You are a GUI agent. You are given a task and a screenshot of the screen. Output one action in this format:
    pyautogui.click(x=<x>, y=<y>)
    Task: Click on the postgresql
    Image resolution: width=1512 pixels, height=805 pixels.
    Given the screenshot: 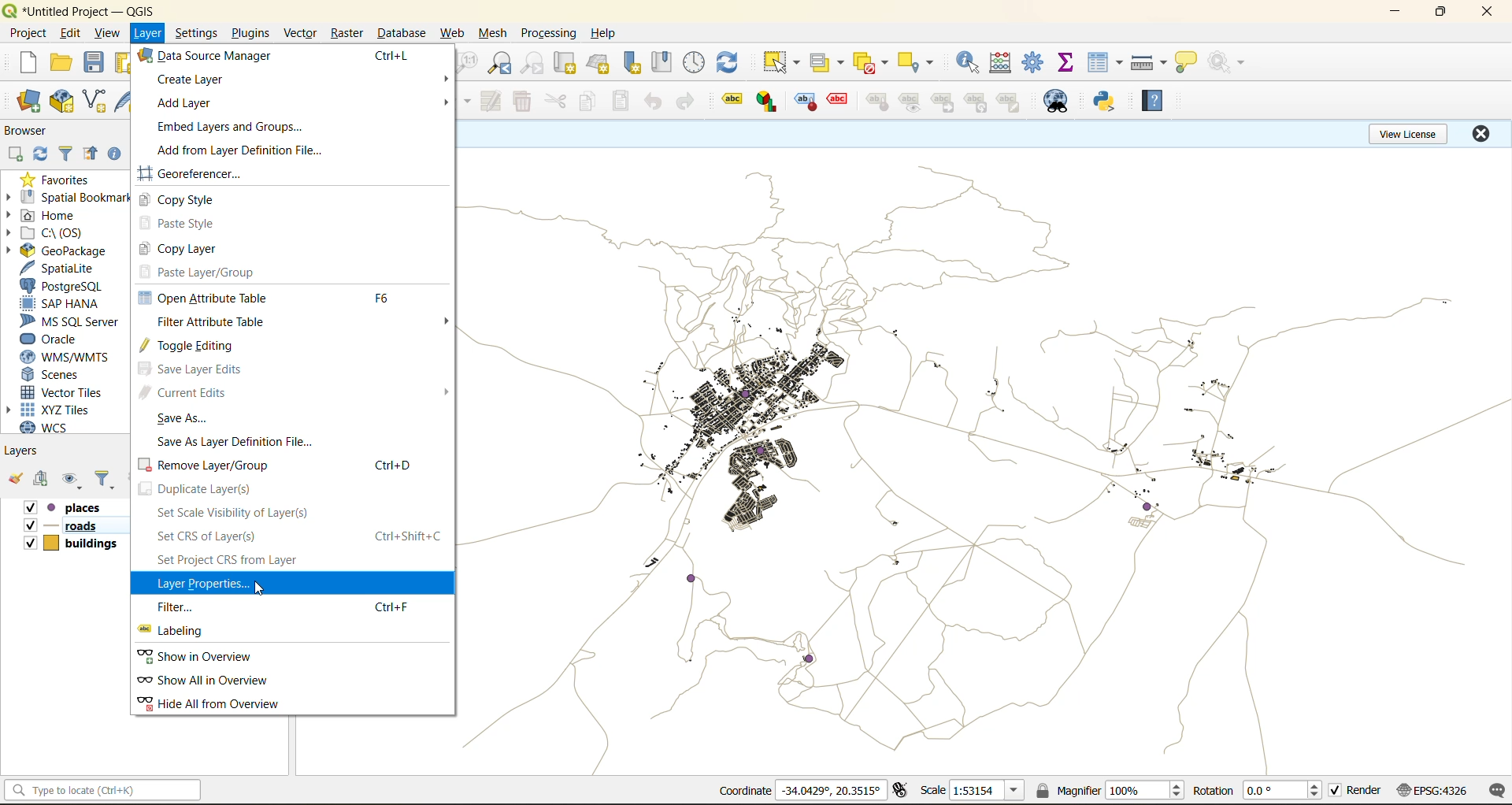 What is the action you would take?
    pyautogui.click(x=71, y=285)
    